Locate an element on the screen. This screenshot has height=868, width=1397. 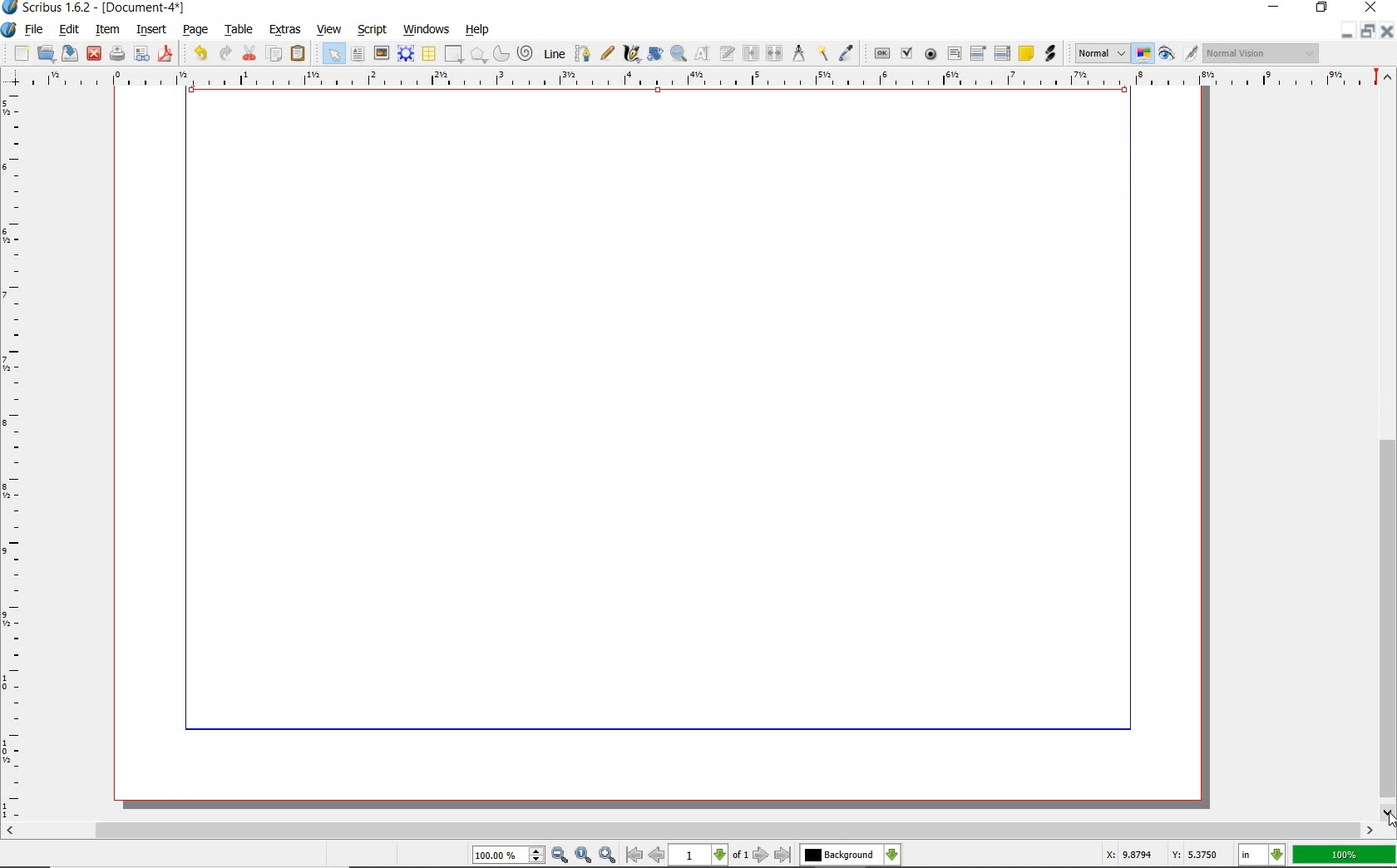
Background is located at coordinates (851, 856).